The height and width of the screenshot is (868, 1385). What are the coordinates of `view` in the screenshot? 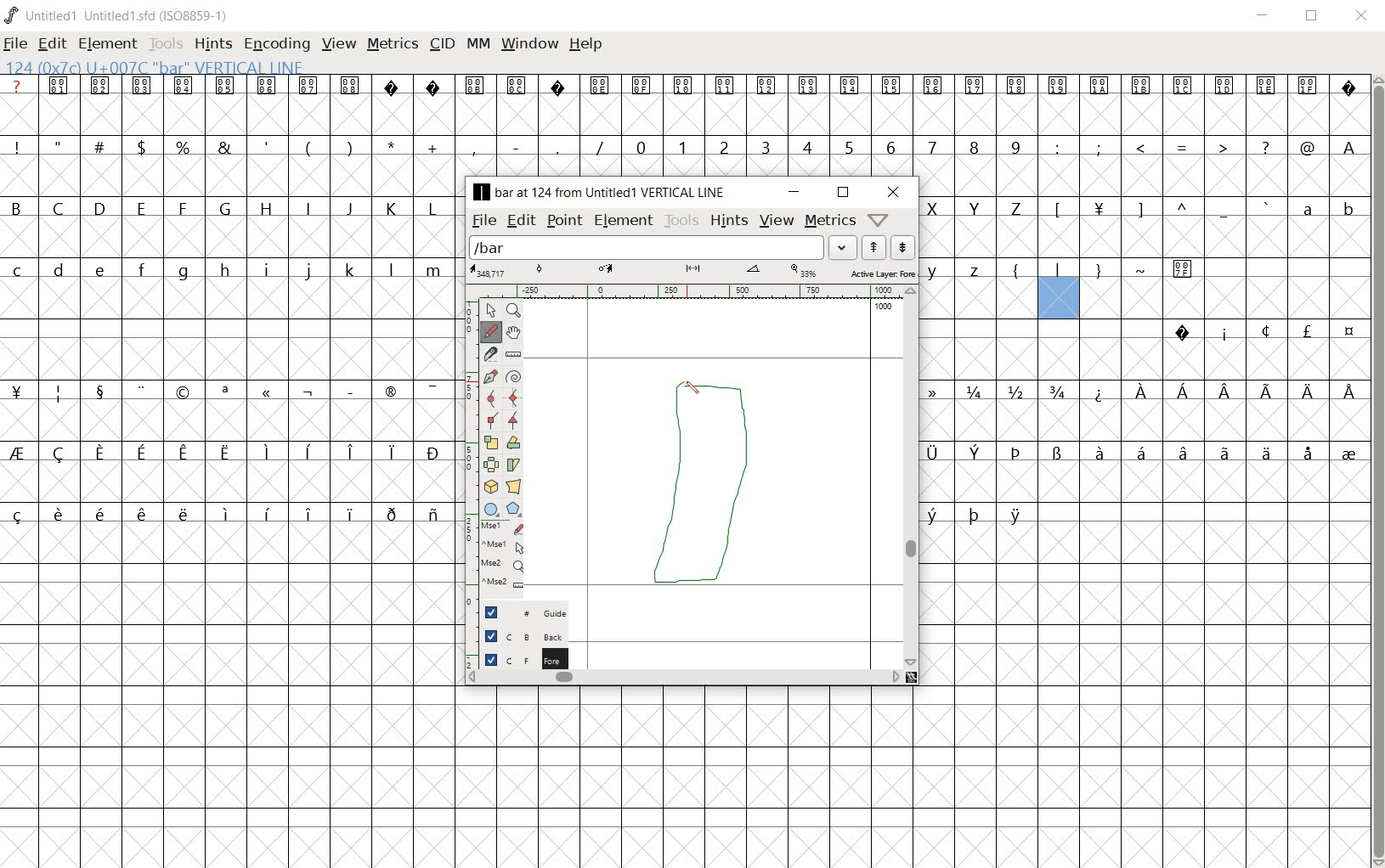 It's located at (777, 219).